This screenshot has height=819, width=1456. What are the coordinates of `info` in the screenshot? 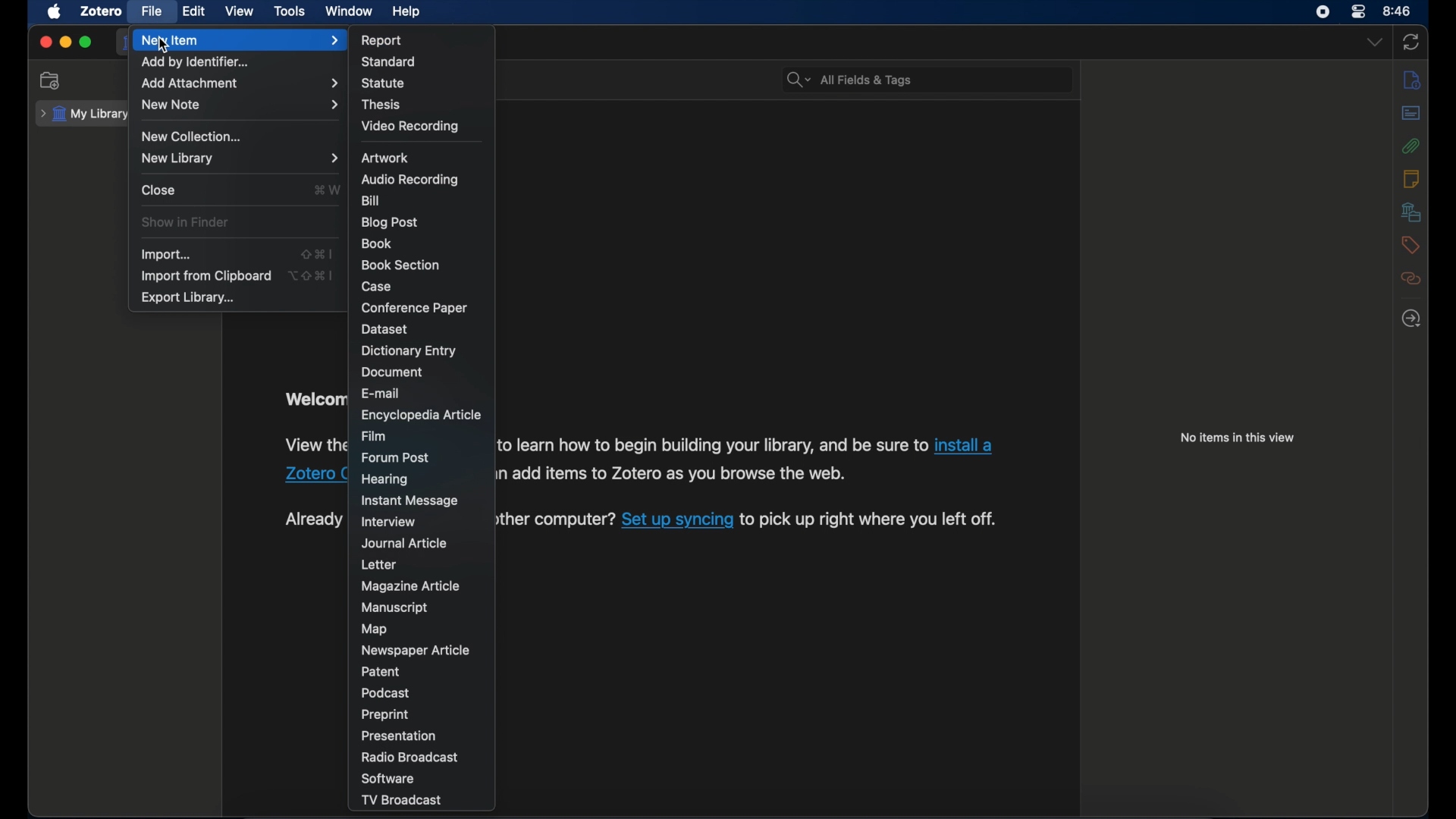 It's located at (1414, 79).